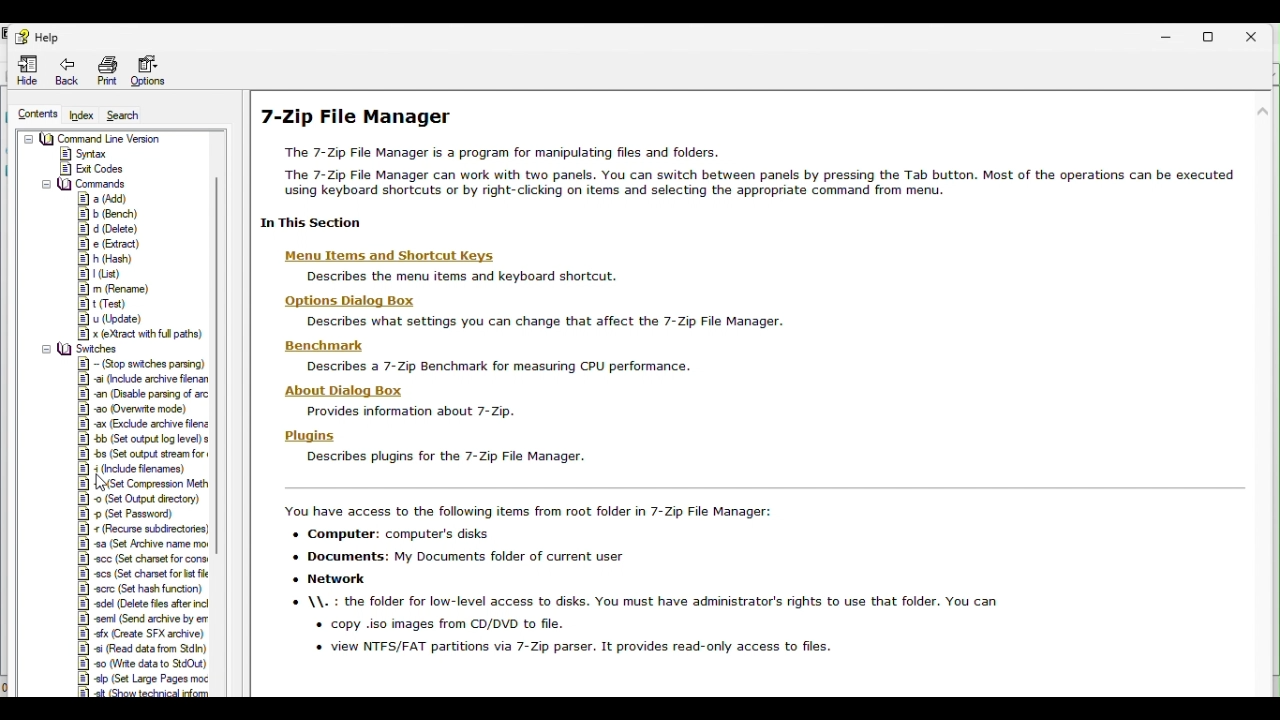 The width and height of the screenshot is (1280, 720). I want to click on Options, so click(153, 66).